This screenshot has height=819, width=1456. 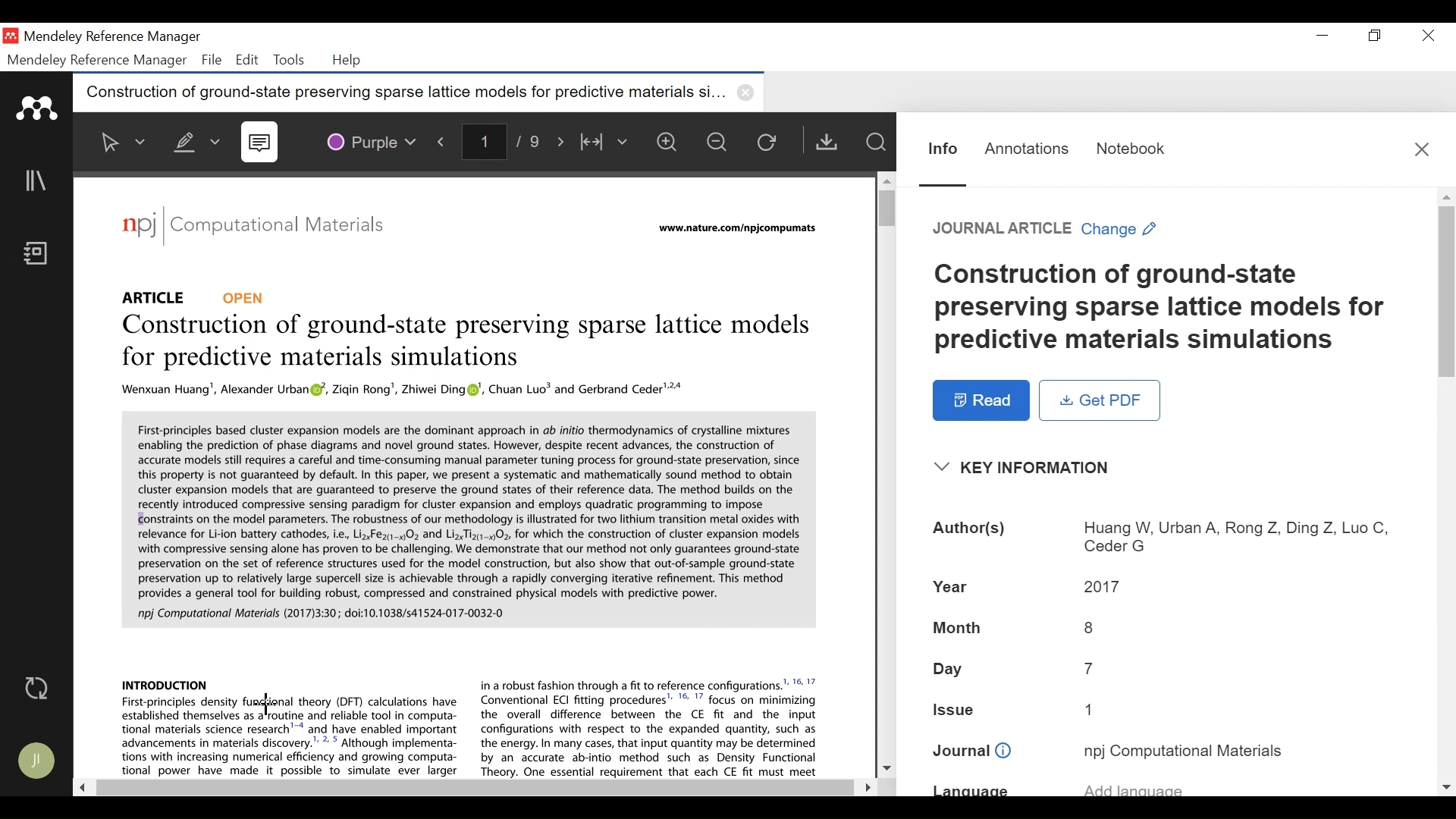 What do you see at coordinates (1166, 671) in the screenshot?
I see `Day` at bounding box center [1166, 671].